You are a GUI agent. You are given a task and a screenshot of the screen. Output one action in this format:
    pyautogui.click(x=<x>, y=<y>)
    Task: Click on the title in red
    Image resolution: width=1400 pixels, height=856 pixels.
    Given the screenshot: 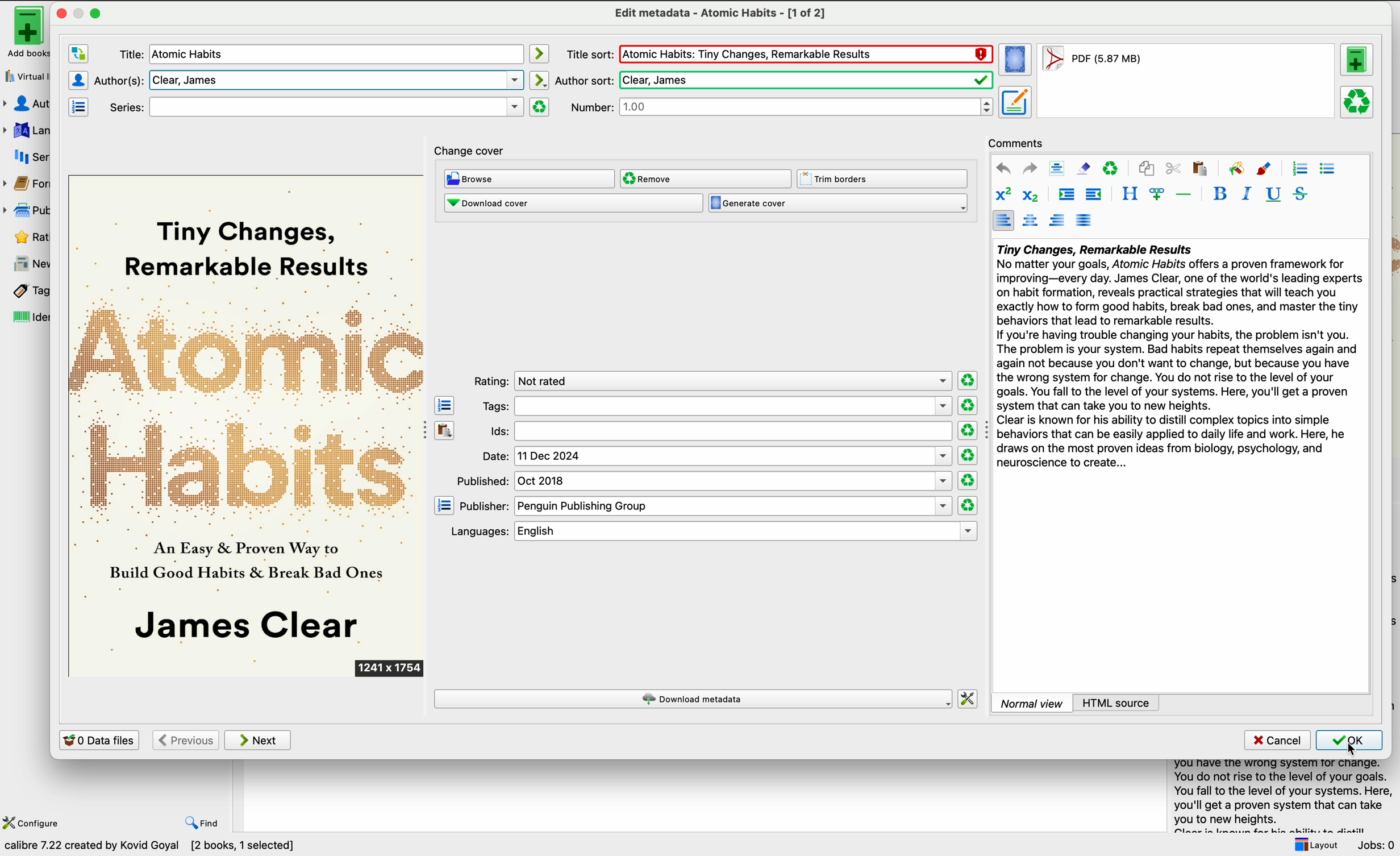 What is the action you would take?
    pyautogui.click(x=806, y=55)
    